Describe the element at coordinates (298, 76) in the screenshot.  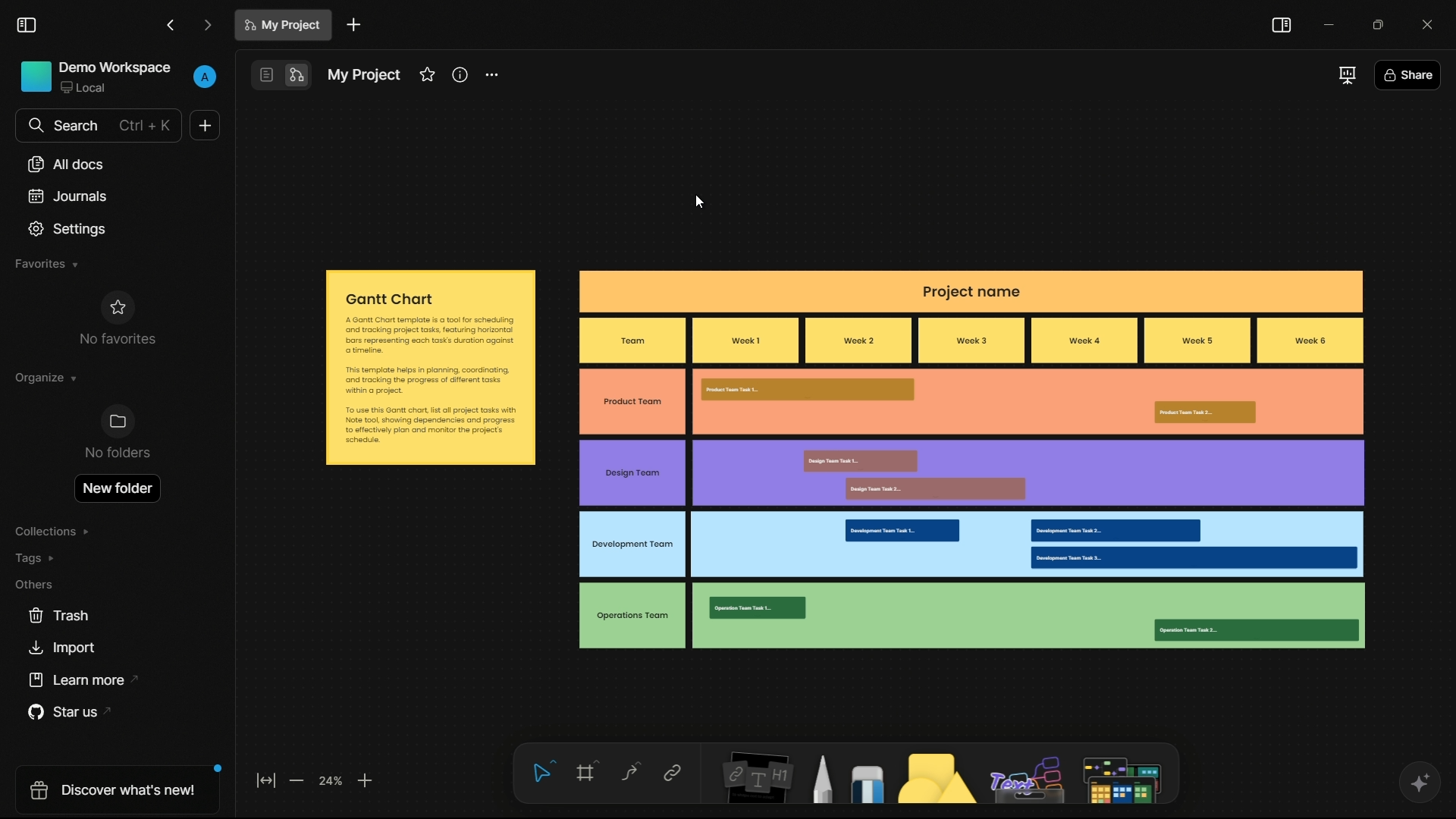
I see `edgeless mode` at that location.